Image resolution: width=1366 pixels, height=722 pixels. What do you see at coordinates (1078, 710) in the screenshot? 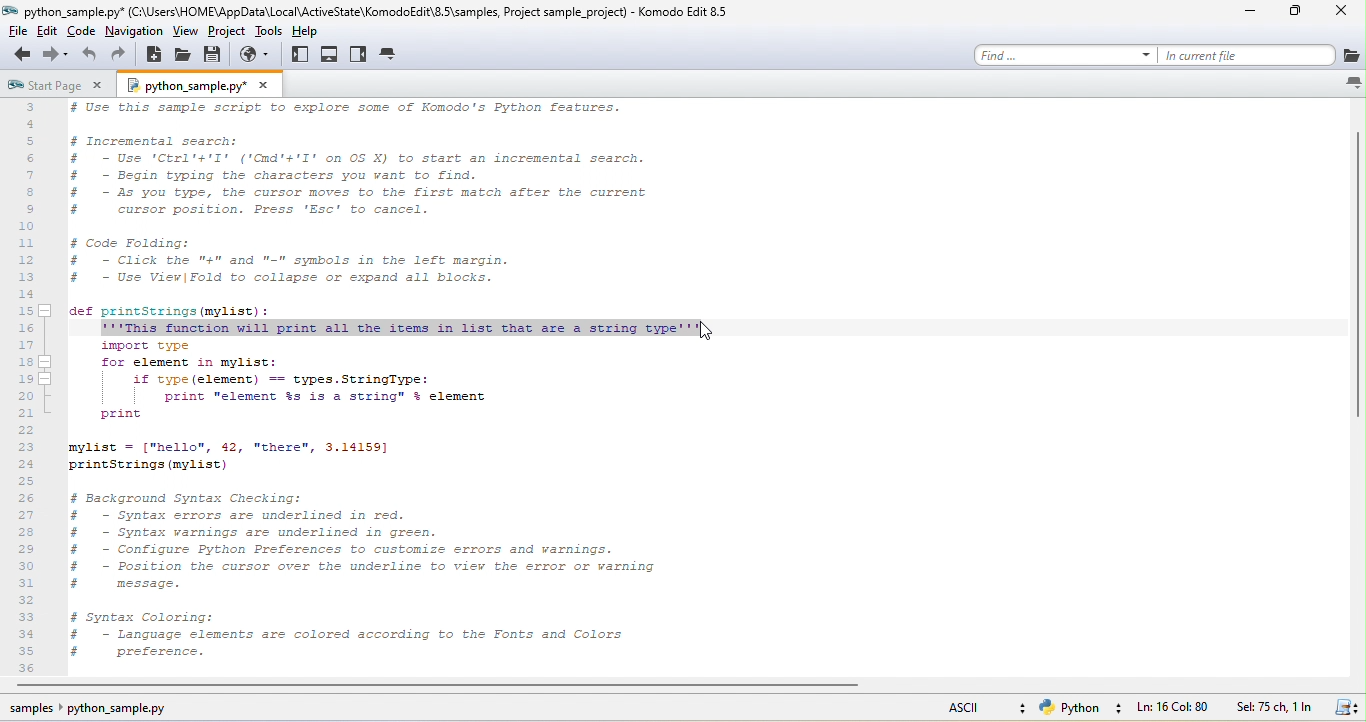
I see `python` at bounding box center [1078, 710].